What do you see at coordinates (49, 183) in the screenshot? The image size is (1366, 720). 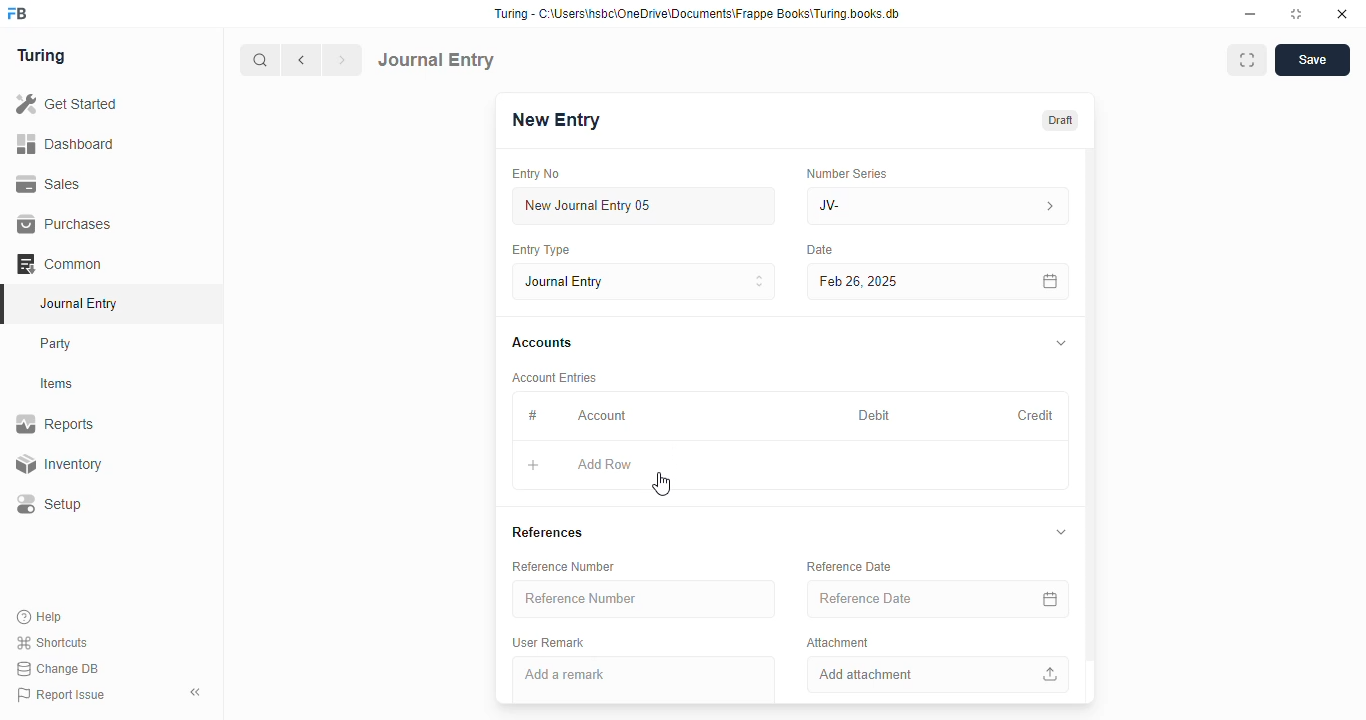 I see `sales` at bounding box center [49, 183].